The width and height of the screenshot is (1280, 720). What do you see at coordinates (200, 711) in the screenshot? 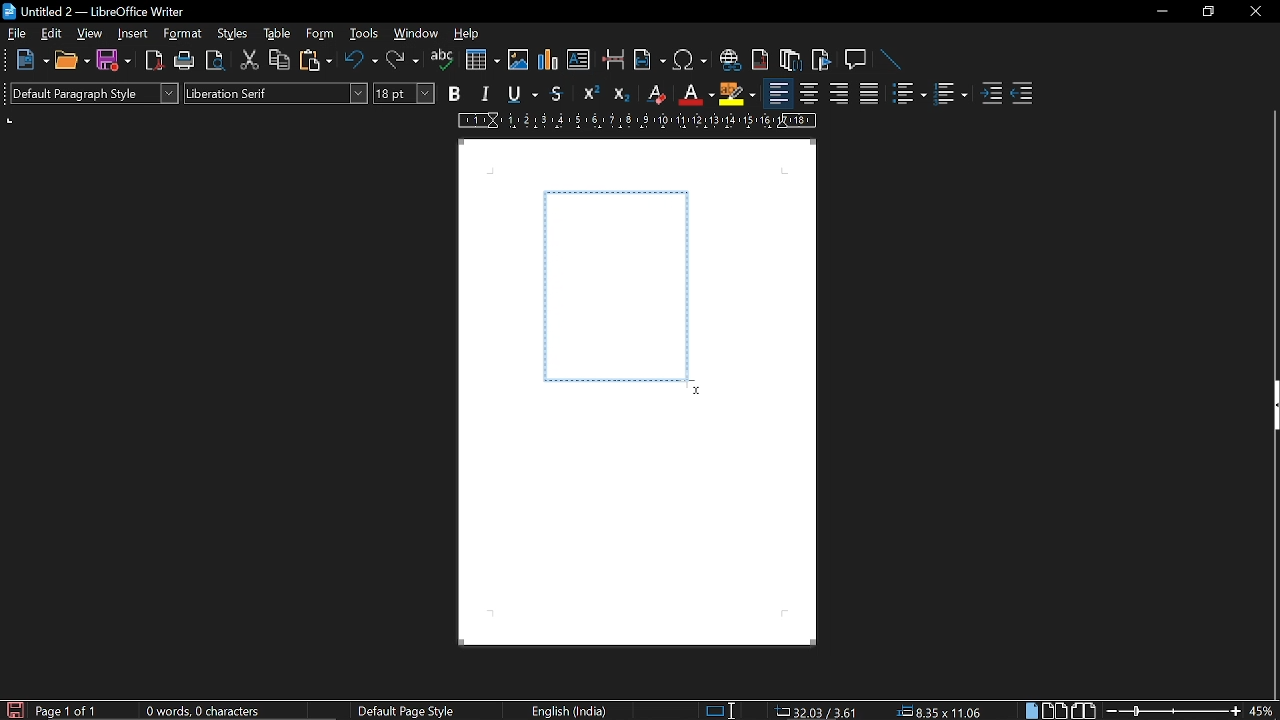
I see `0 words 0 character` at bounding box center [200, 711].